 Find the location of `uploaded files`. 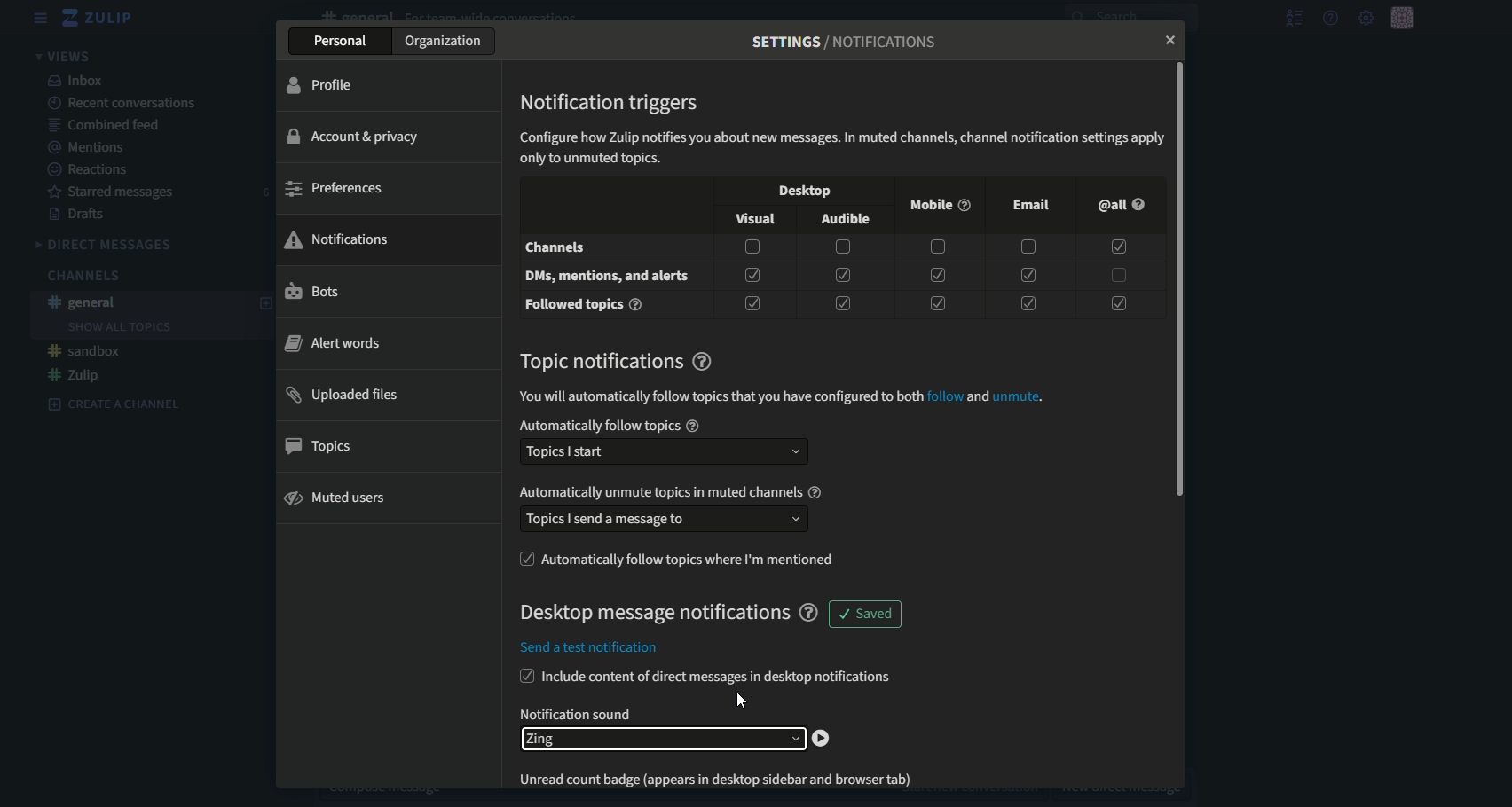

uploaded files is located at coordinates (346, 396).